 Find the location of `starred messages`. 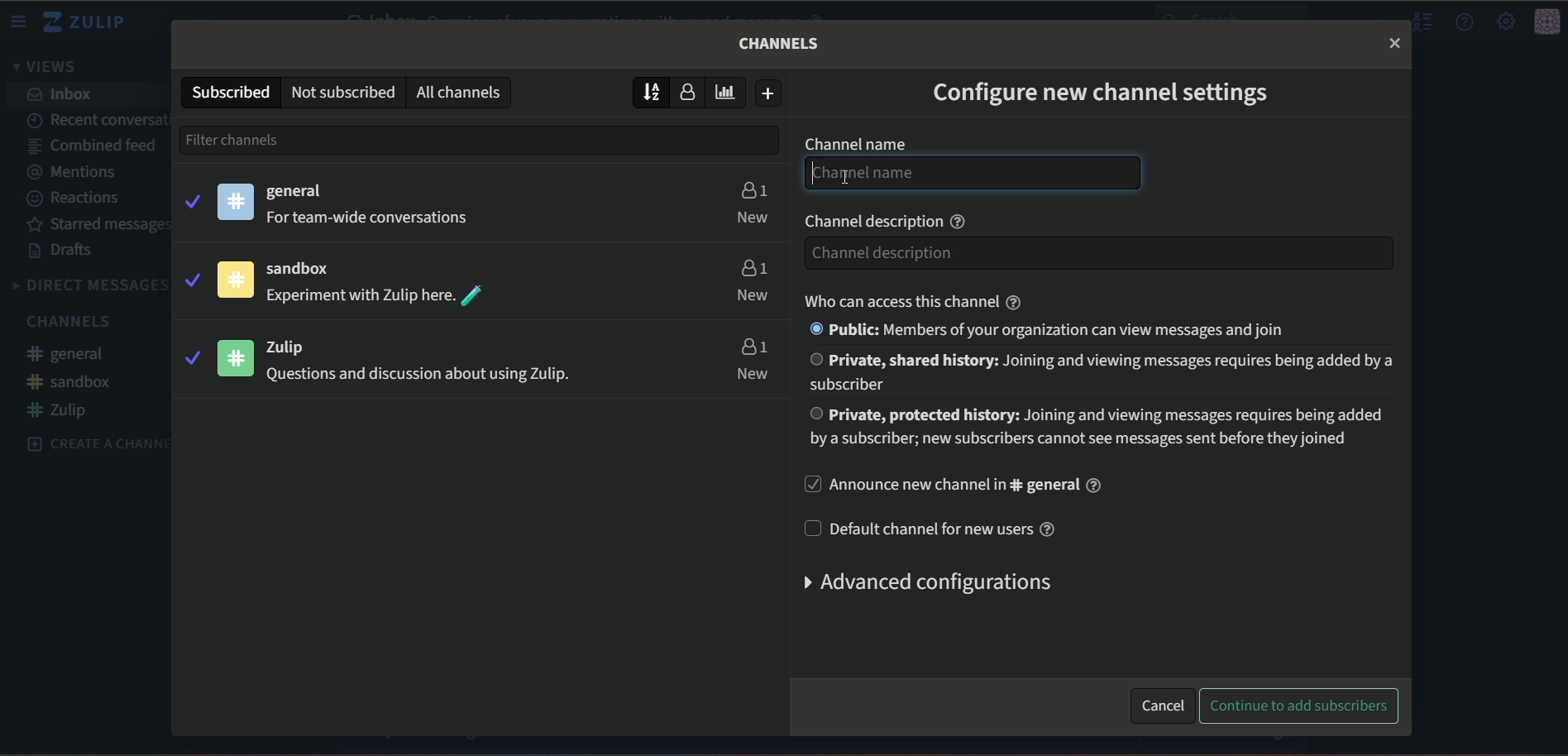

starred messages is located at coordinates (93, 225).